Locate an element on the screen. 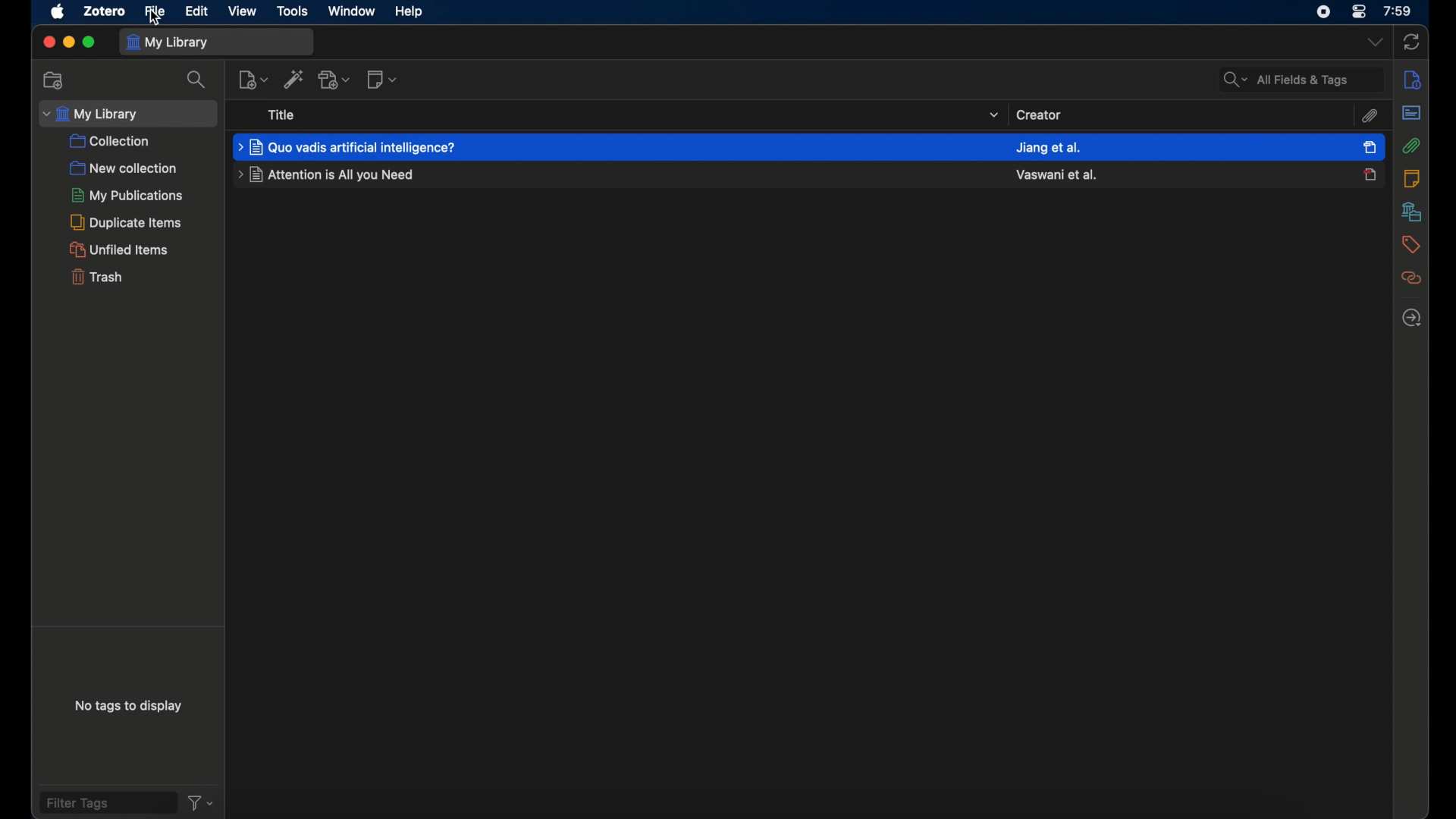  libraries and collections is located at coordinates (1410, 212).